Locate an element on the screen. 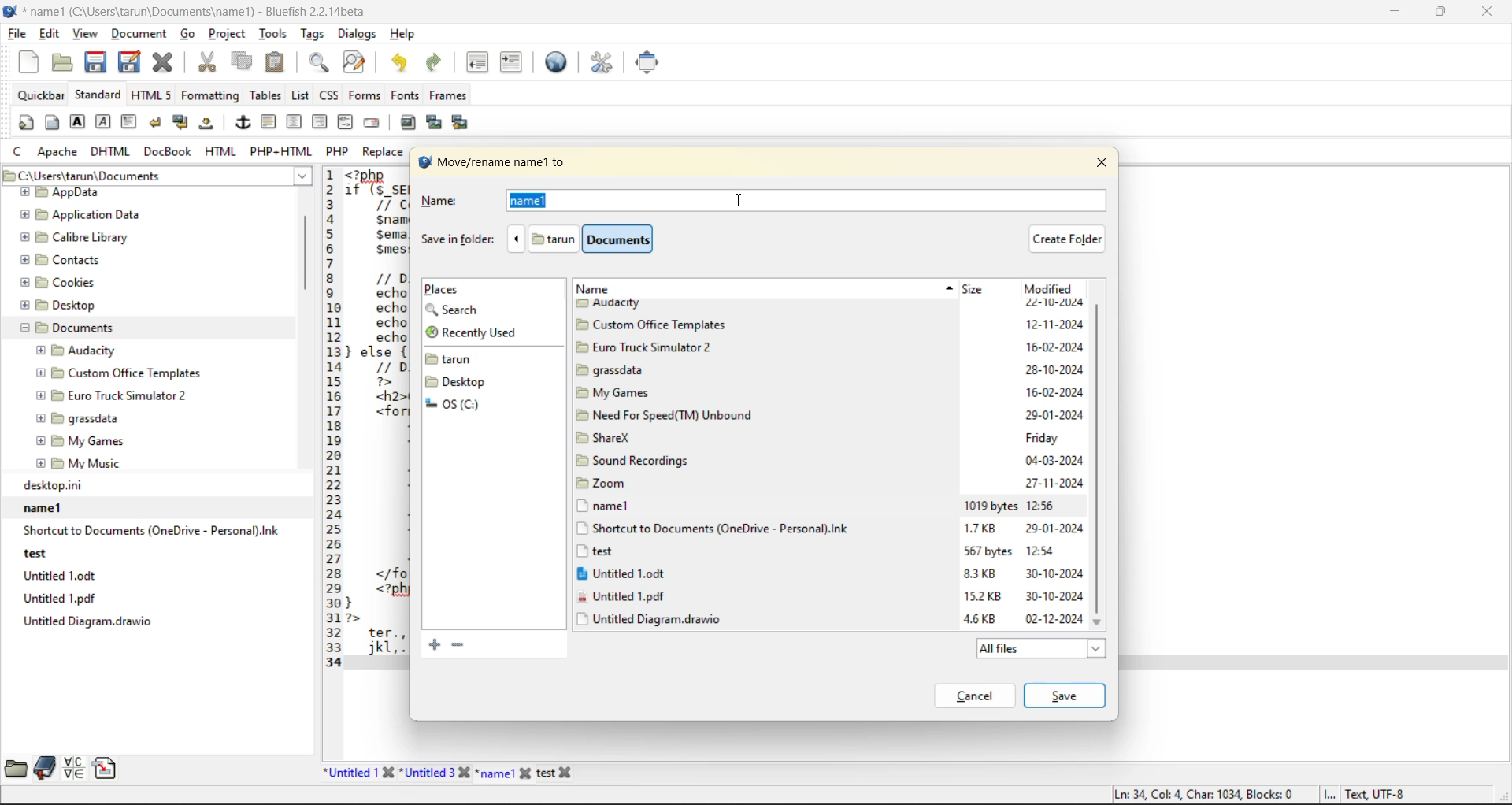 This screenshot has width=1512, height=805. insert  image is located at coordinates (409, 121).